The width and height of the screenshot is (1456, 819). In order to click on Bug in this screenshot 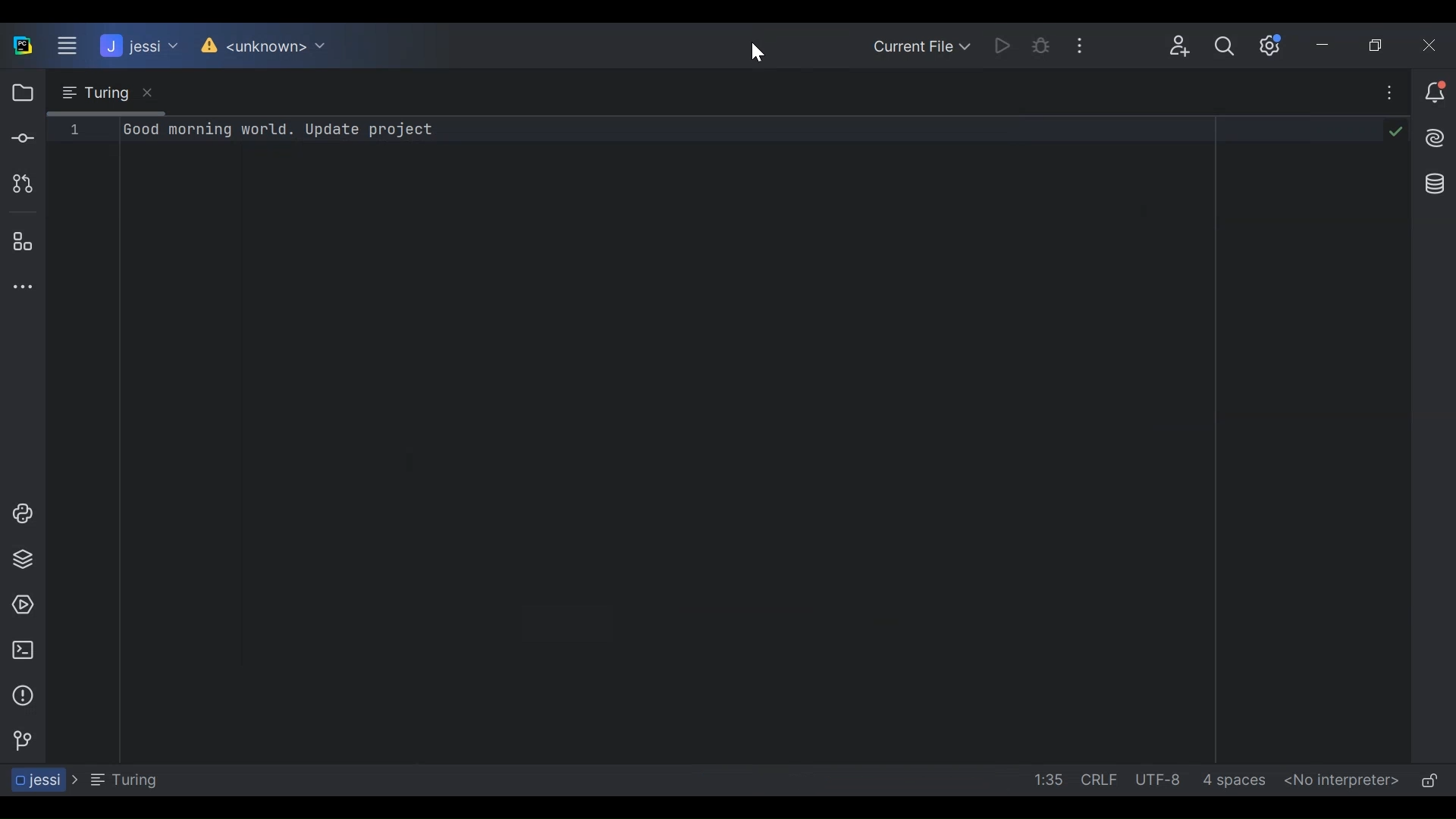, I will do `click(1049, 46)`.